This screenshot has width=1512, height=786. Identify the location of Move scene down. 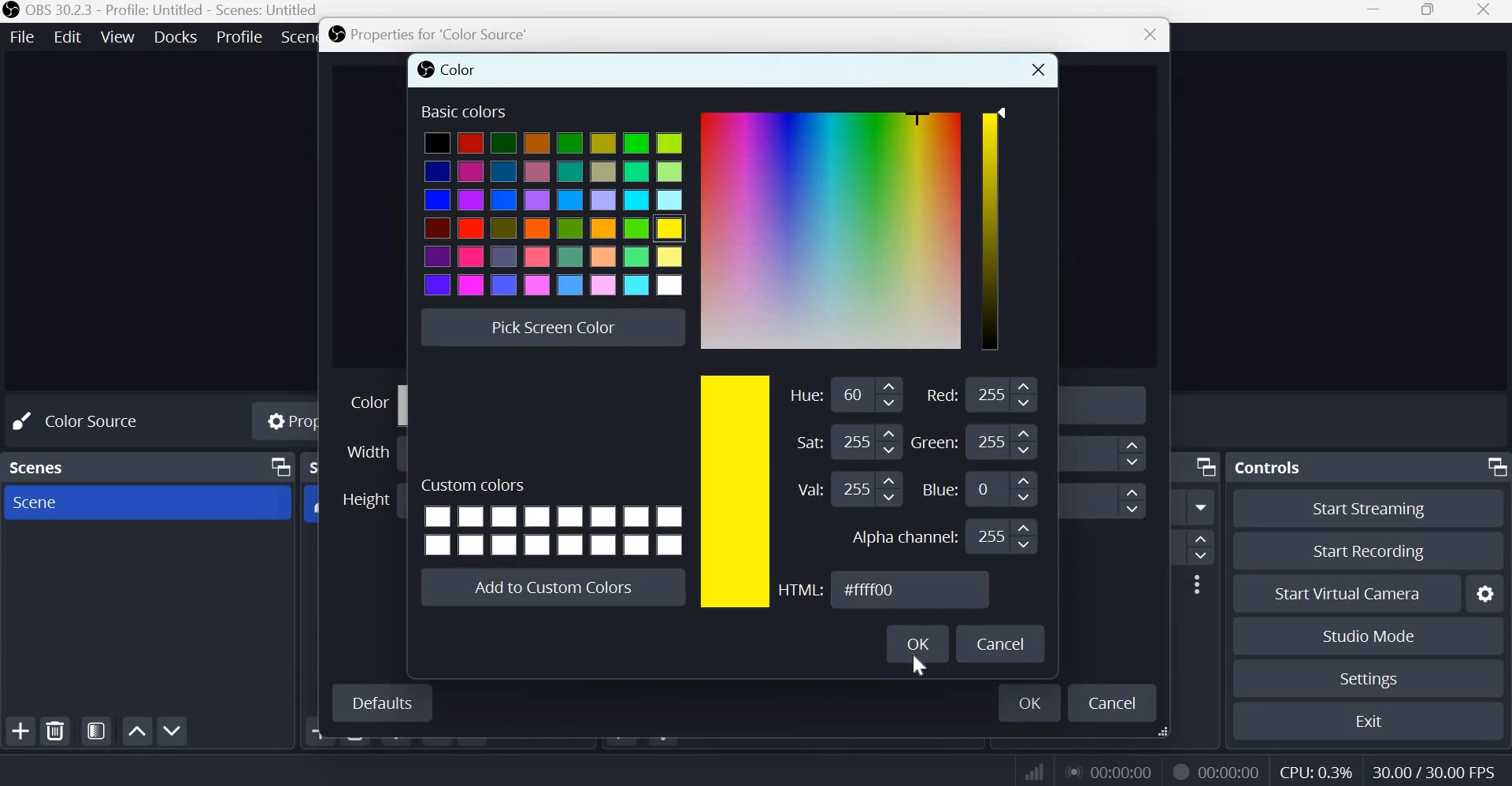
(176, 732).